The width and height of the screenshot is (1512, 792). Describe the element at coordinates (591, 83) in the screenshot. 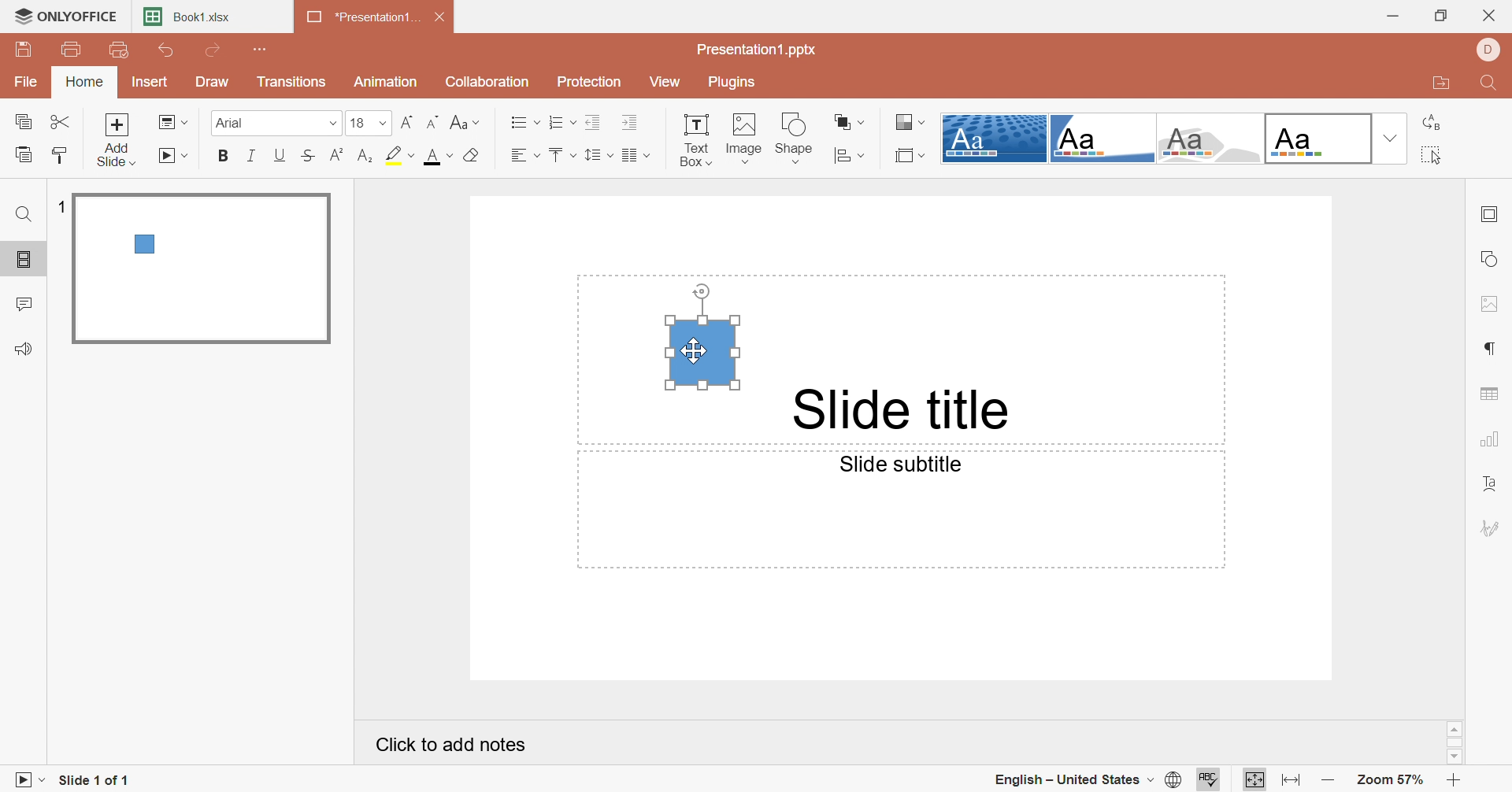

I see `Protection` at that location.